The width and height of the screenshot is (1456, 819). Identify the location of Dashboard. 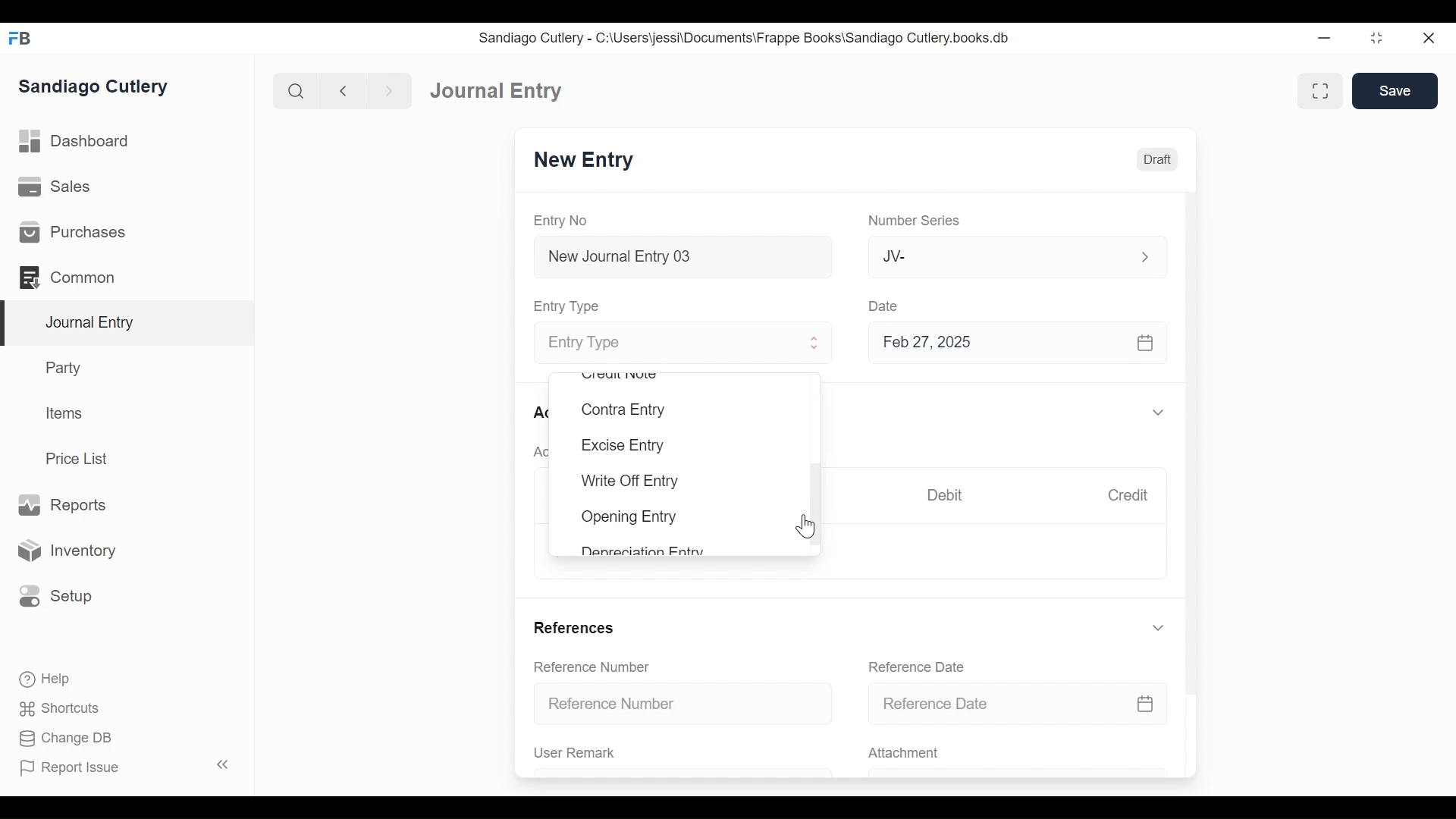
(75, 142).